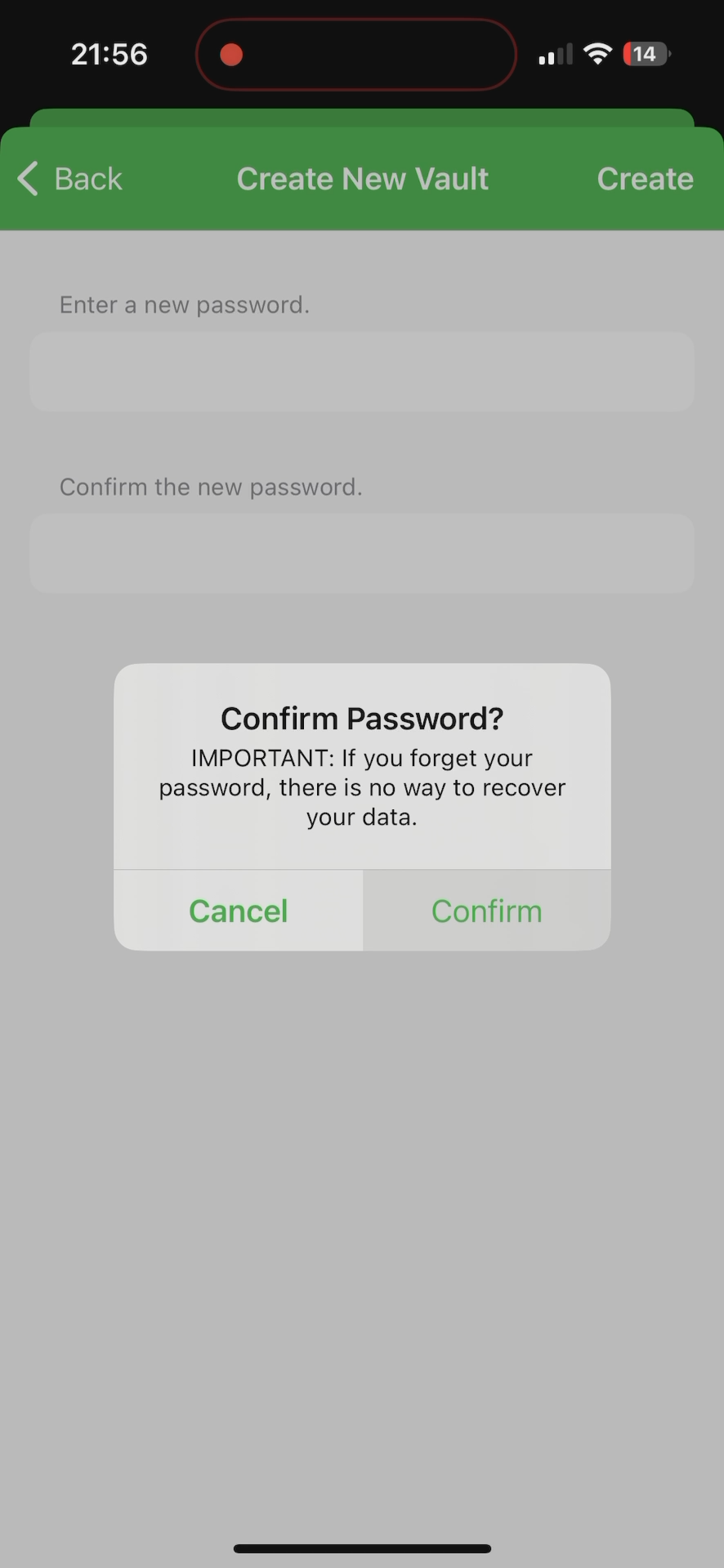  What do you see at coordinates (646, 168) in the screenshot?
I see `create` at bounding box center [646, 168].